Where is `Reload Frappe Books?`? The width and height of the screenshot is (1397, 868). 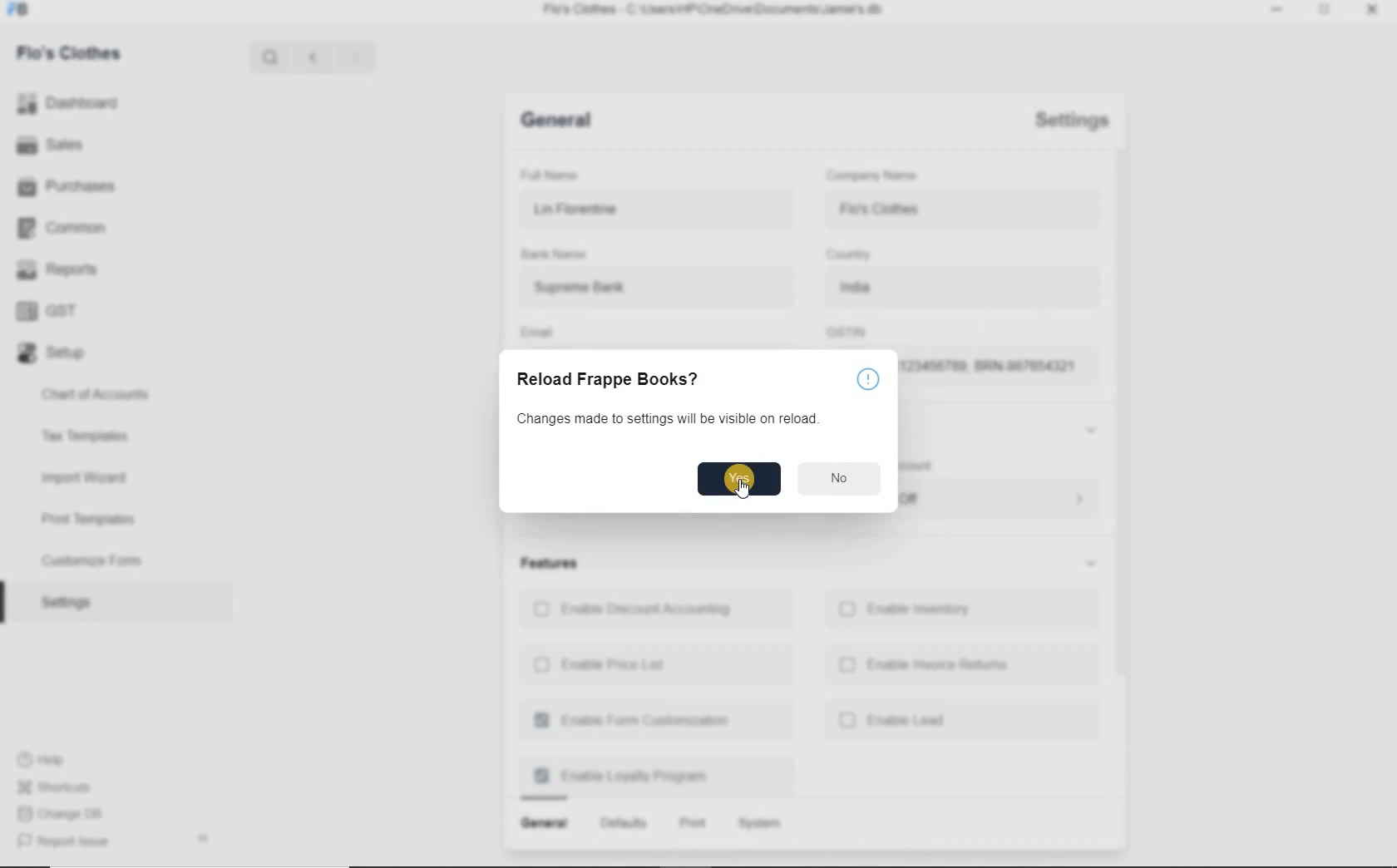 Reload Frappe Books? is located at coordinates (611, 382).